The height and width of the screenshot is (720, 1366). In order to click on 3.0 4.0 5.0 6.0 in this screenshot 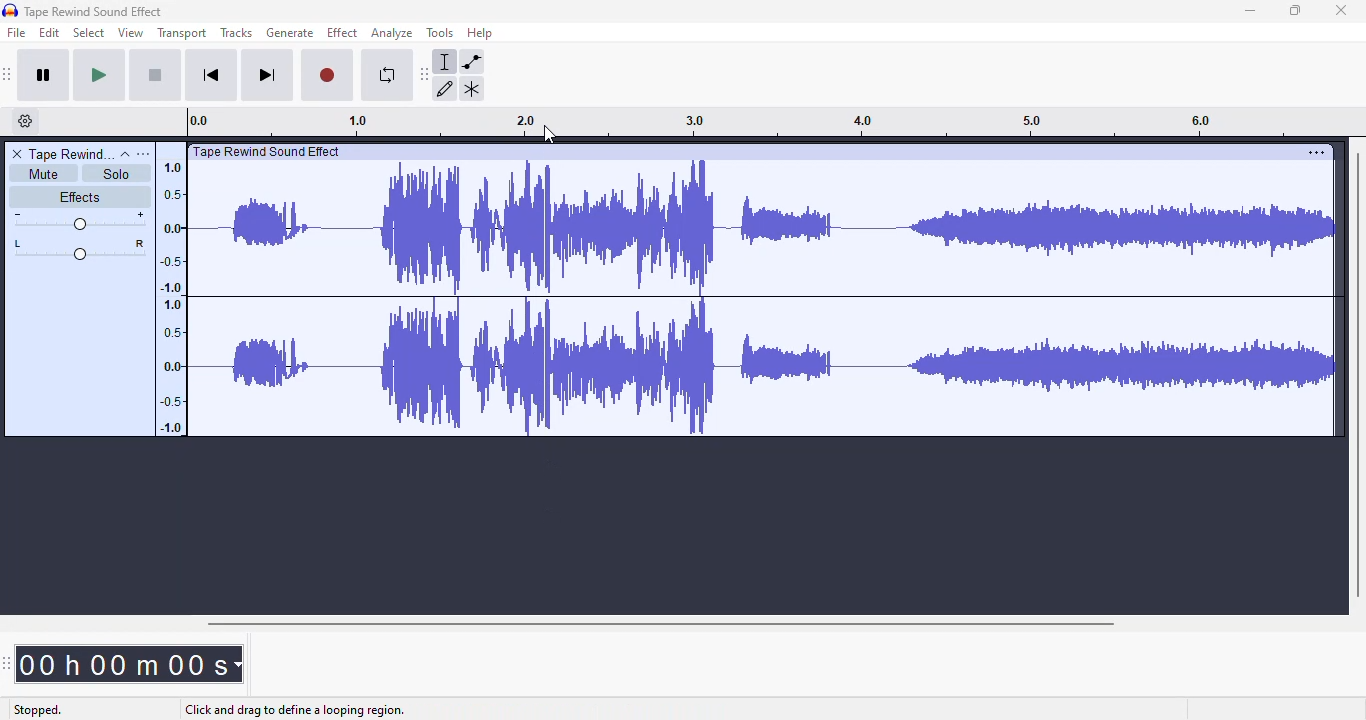, I will do `click(1025, 121)`.